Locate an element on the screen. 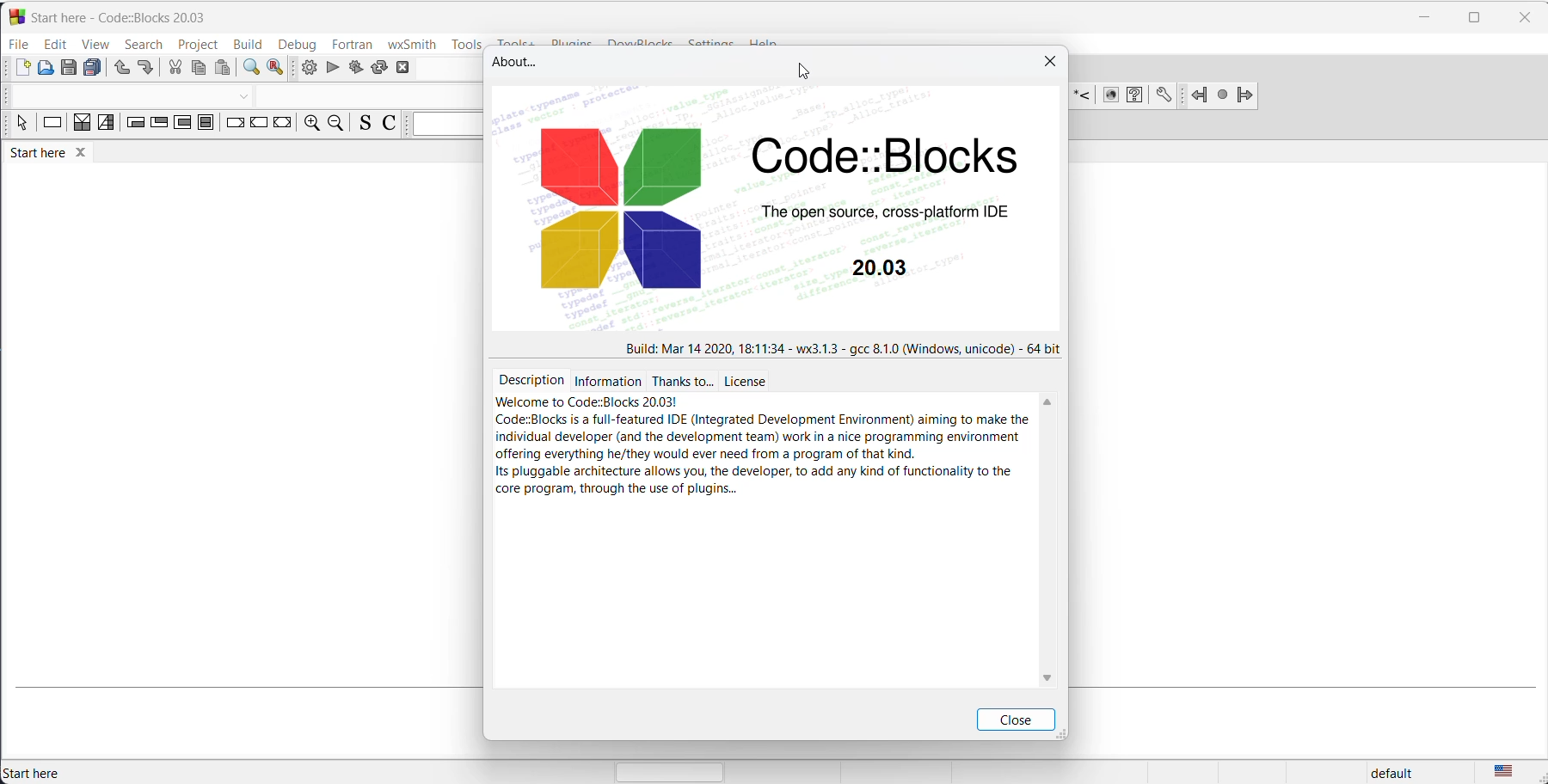 The width and height of the screenshot is (1548, 784). paste is located at coordinates (224, 70).